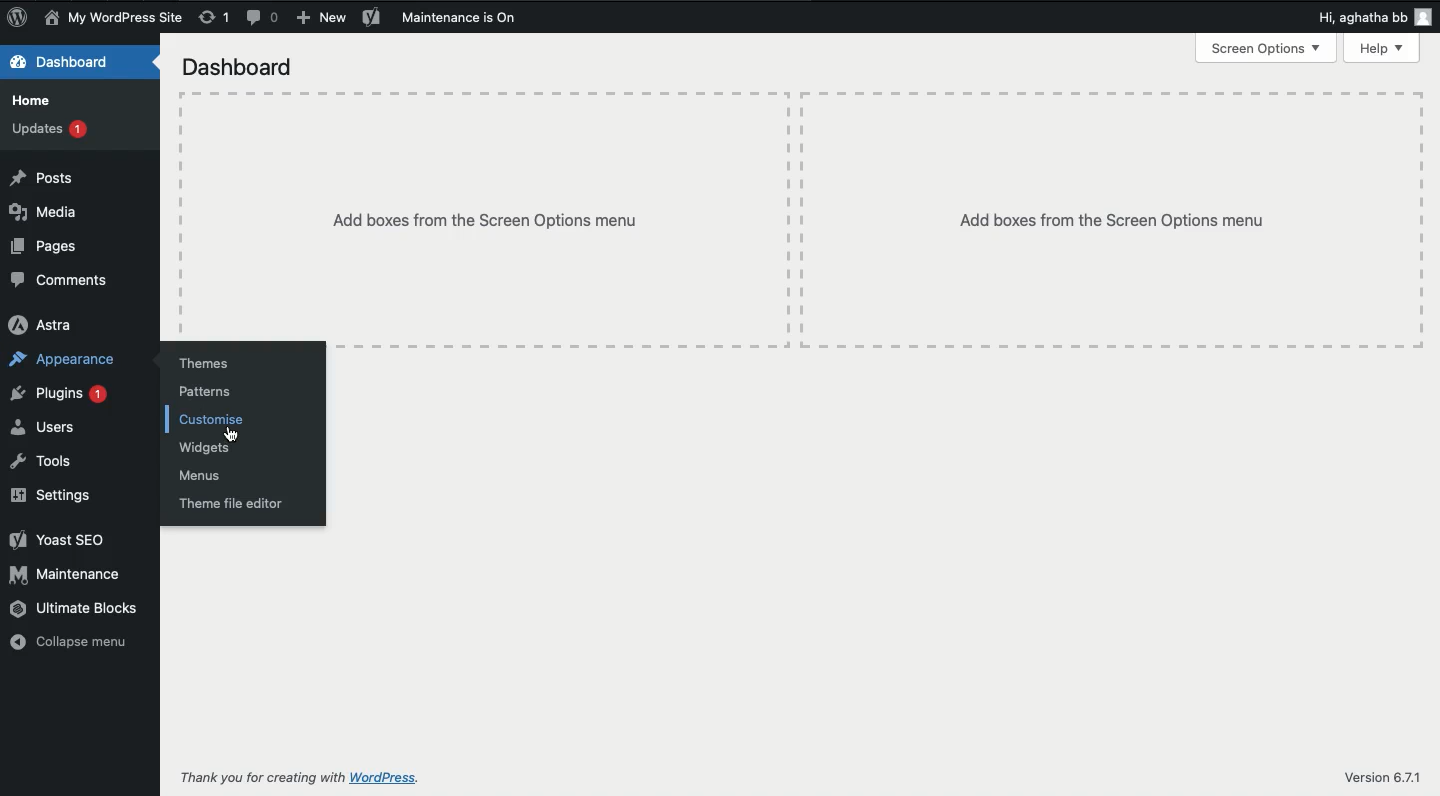  What do you see at coordinates (64, 63) in the screenshot?
I see `Dashboard` at bounding box center [64, 63].